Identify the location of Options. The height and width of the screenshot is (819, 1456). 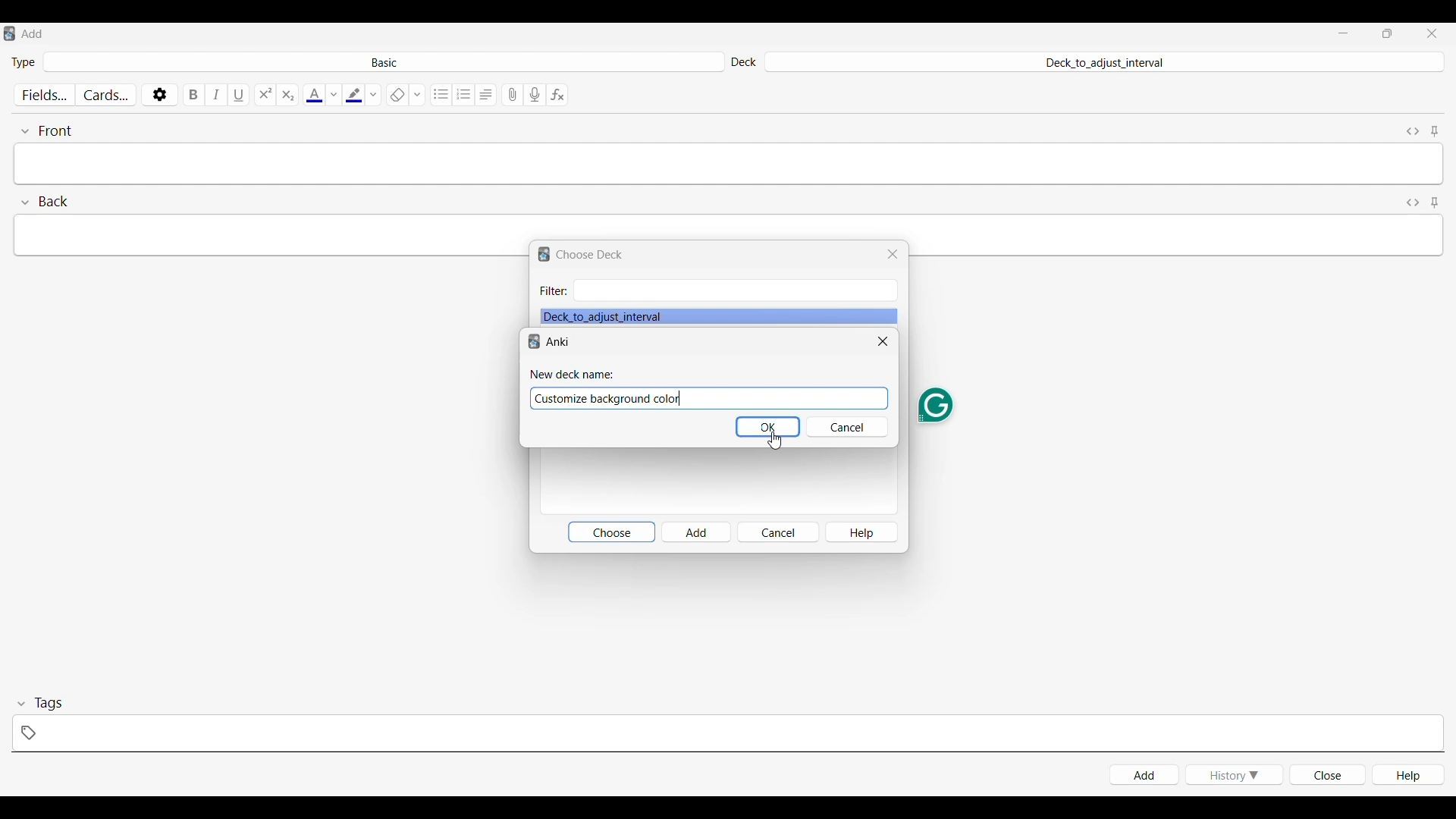
(159, 94).